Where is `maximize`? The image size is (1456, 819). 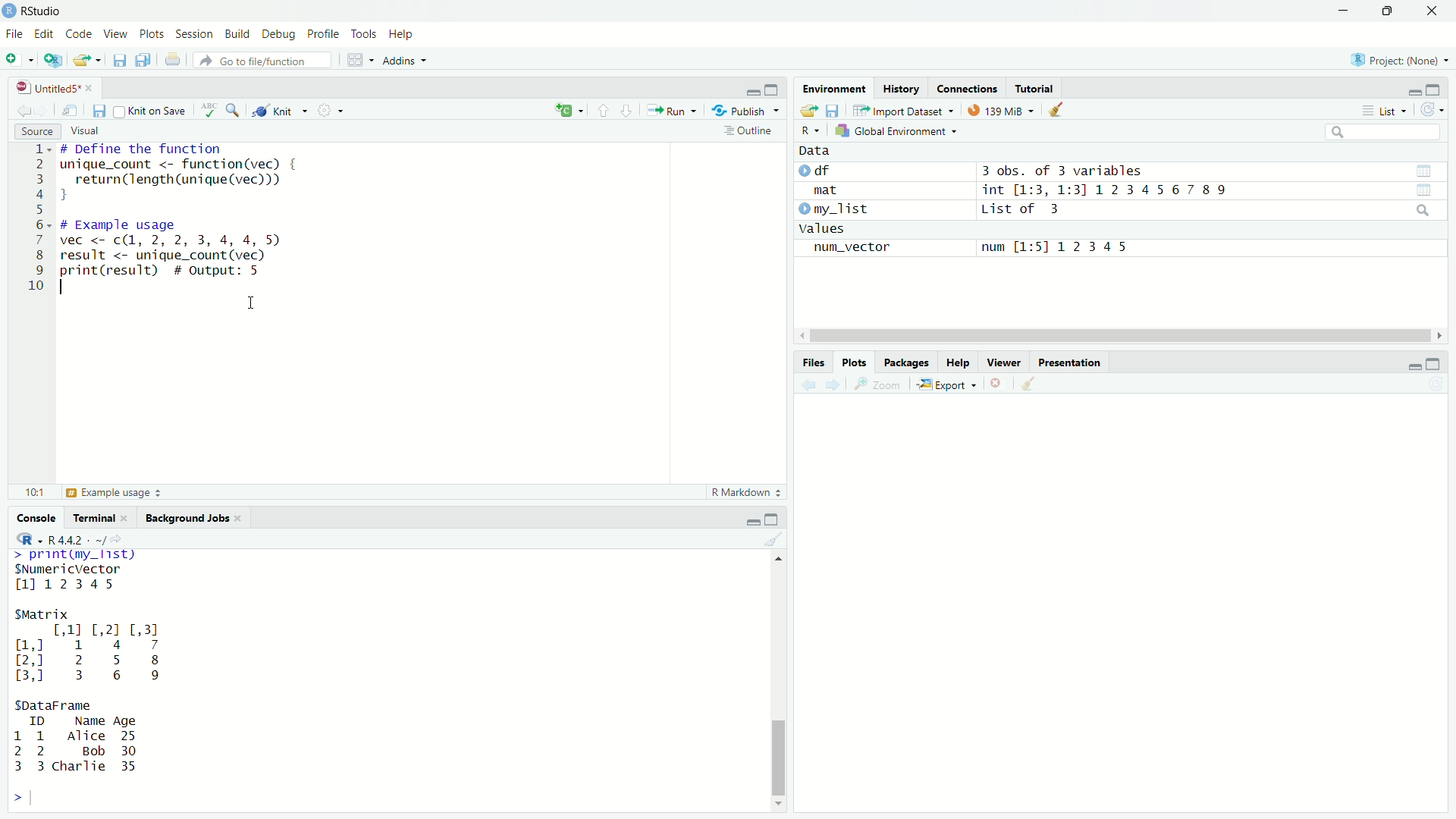
maximize is located at coordinates (772, 519).